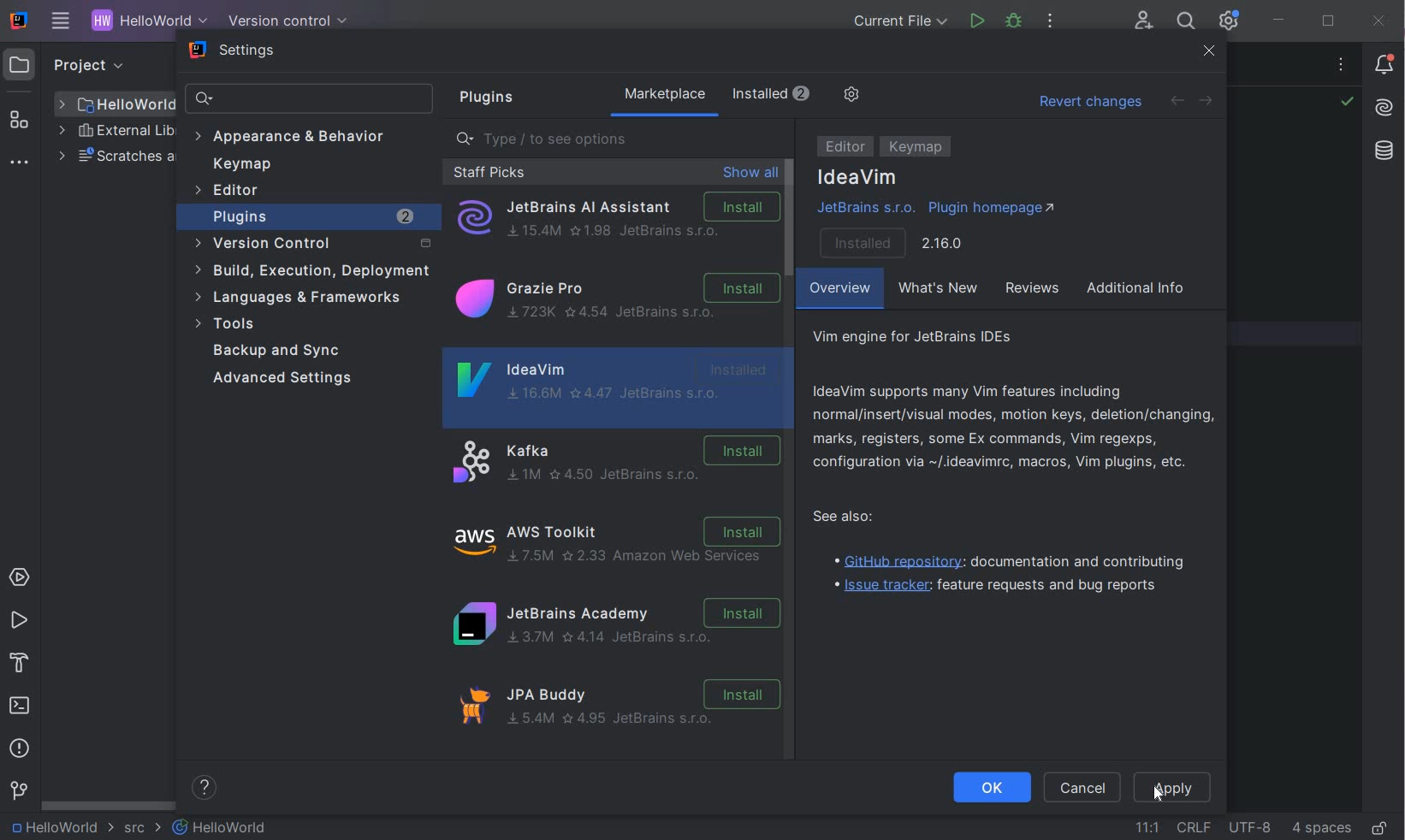 The width and height of the screenshot is (1405, 840). What do you see at coordinates (1379, 21) in the screenshot?
I see `CLOSE` at bounding box center [1379, 21].